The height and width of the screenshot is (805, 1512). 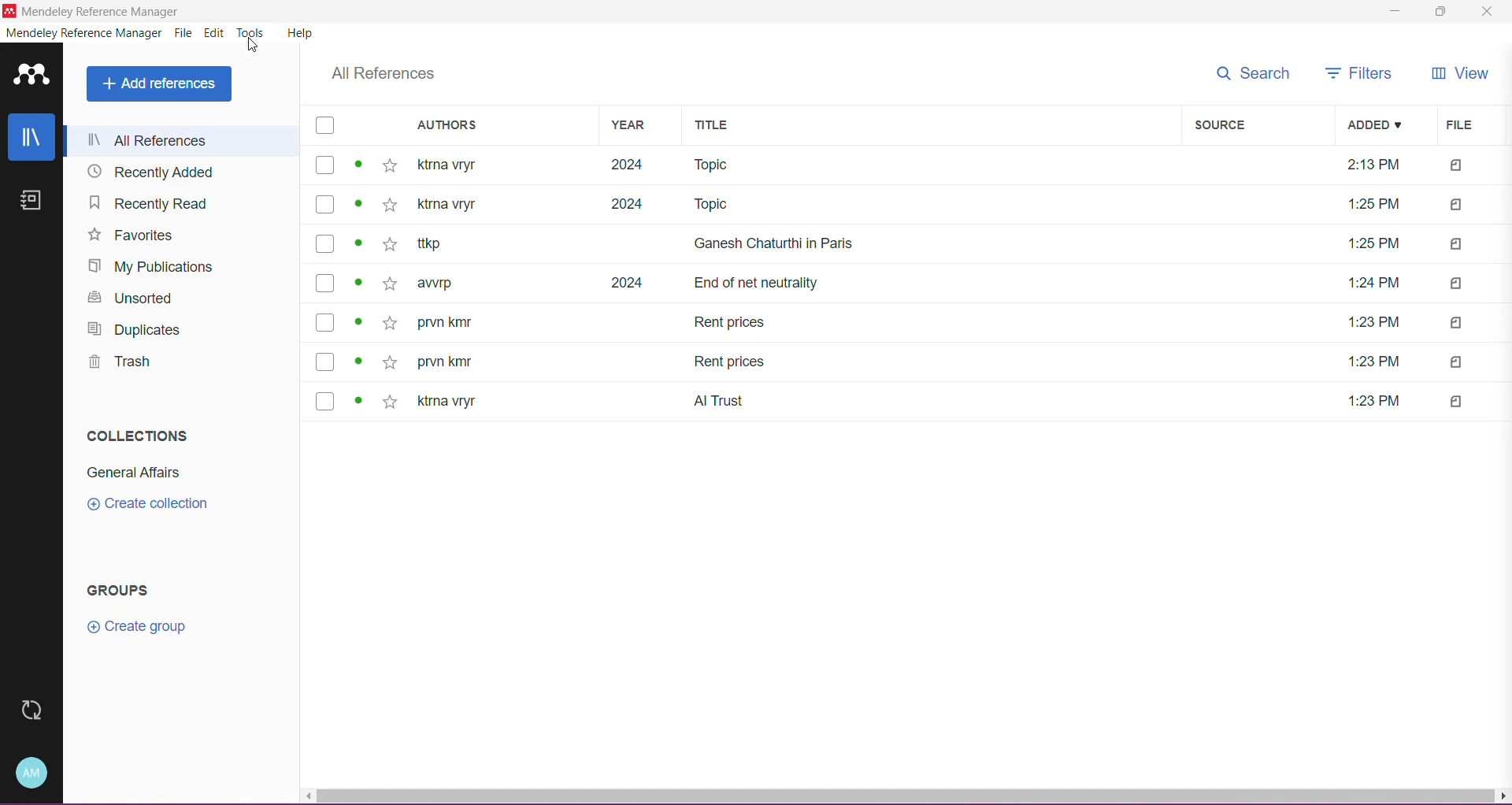 What do you see at coordinates (9, 12) in the screenshot?
I see `icon` at bounding box center [9, 12].